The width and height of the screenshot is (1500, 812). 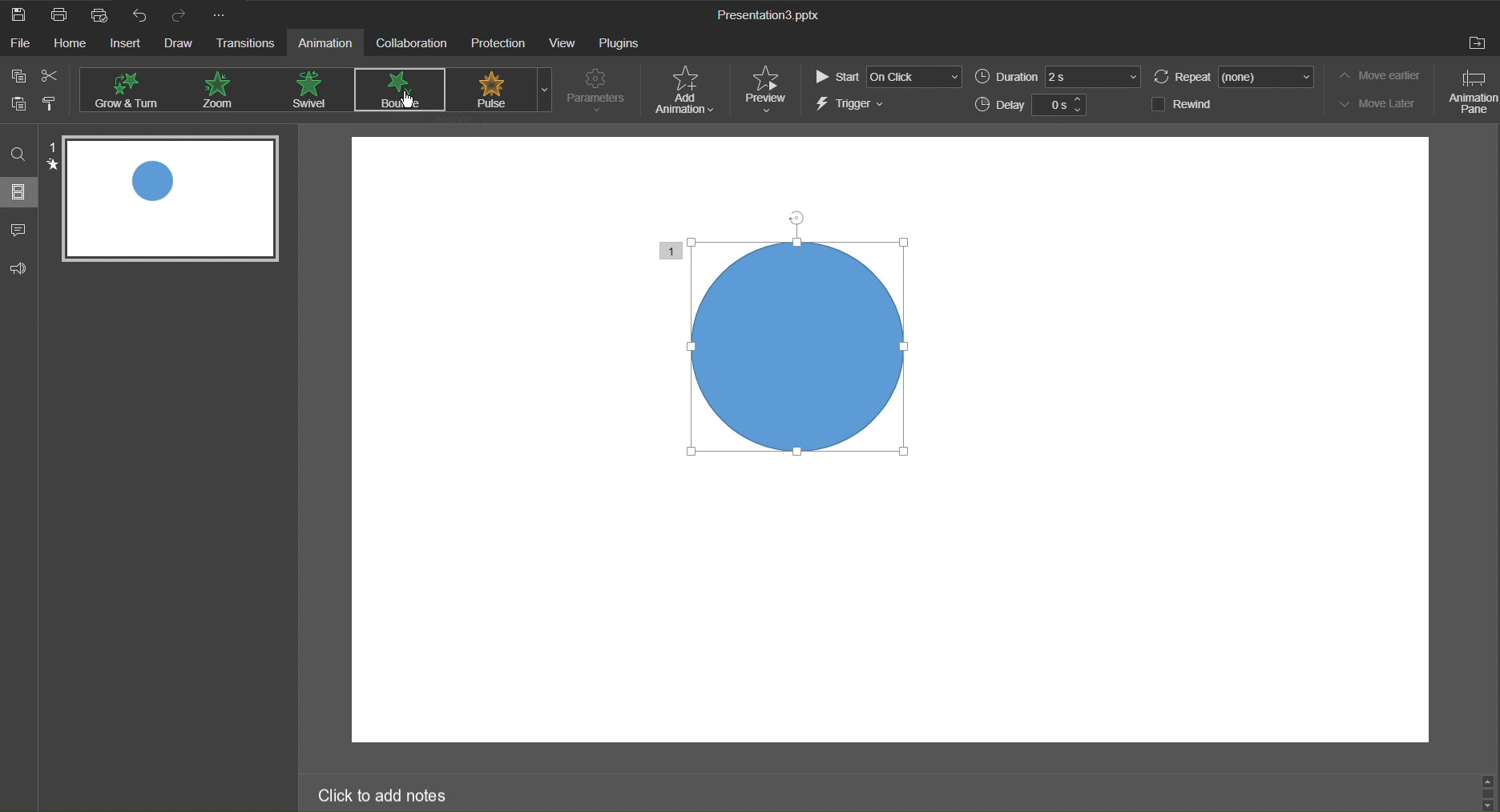 What do you see at coordinates (399, 88) in the screenshot?
I see `Animations` at bounding box center [399, 88].